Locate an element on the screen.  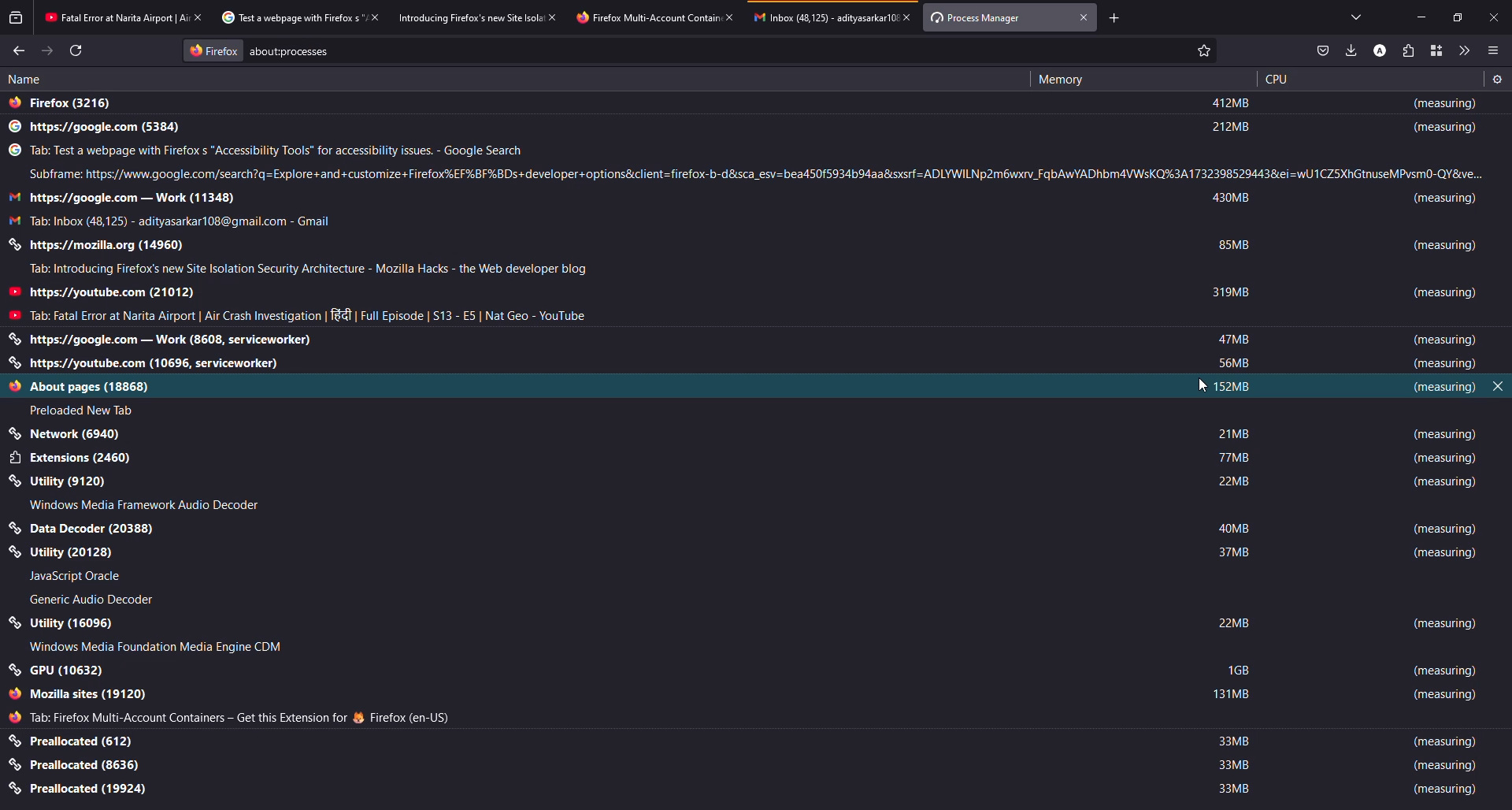
Test a web page with Firefox is located at coordinates (283, 17).